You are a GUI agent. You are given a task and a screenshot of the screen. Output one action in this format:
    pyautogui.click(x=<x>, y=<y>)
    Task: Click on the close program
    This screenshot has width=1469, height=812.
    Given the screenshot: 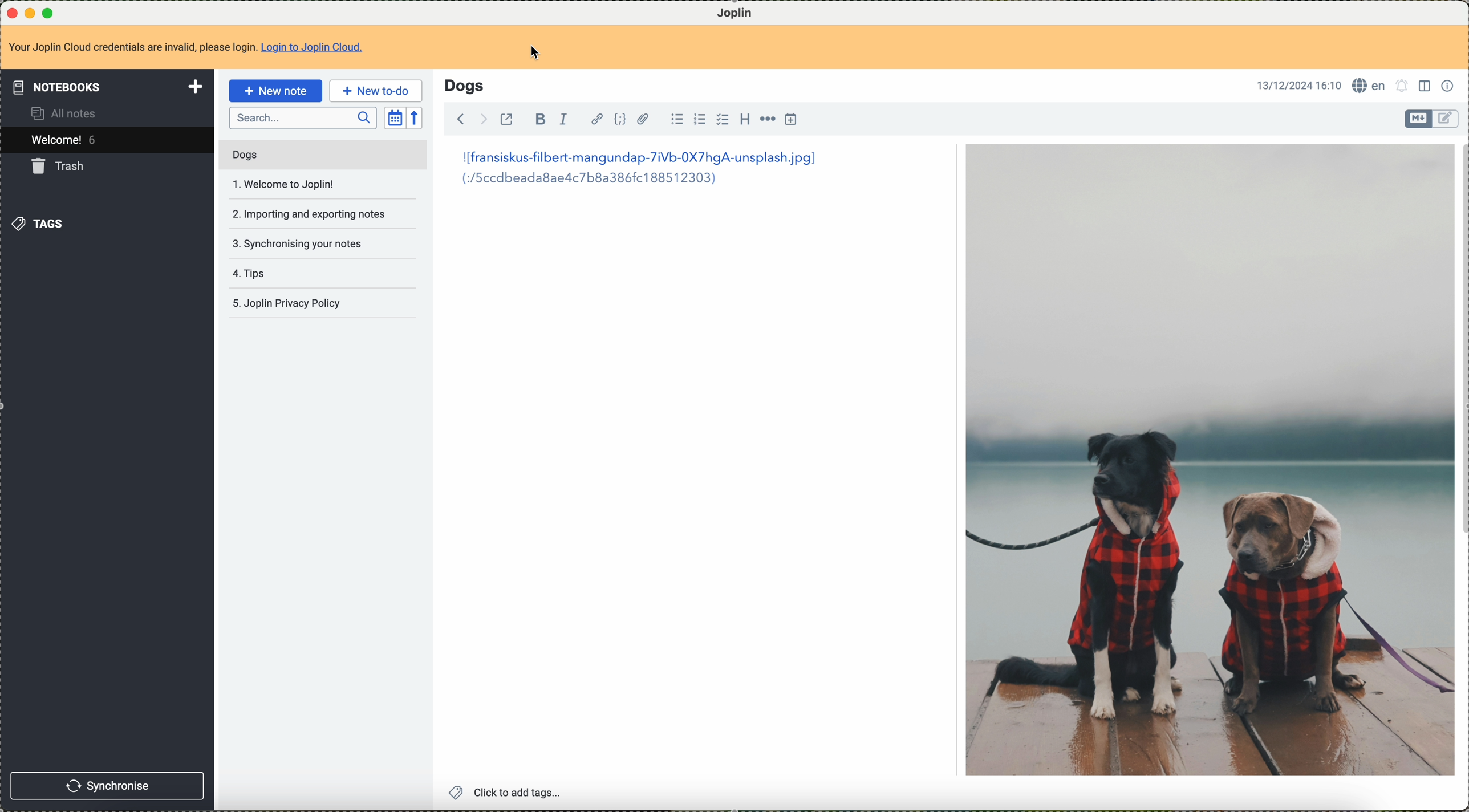 What is the action you would take?
    pyautogui.click(x=11, y=11)
    